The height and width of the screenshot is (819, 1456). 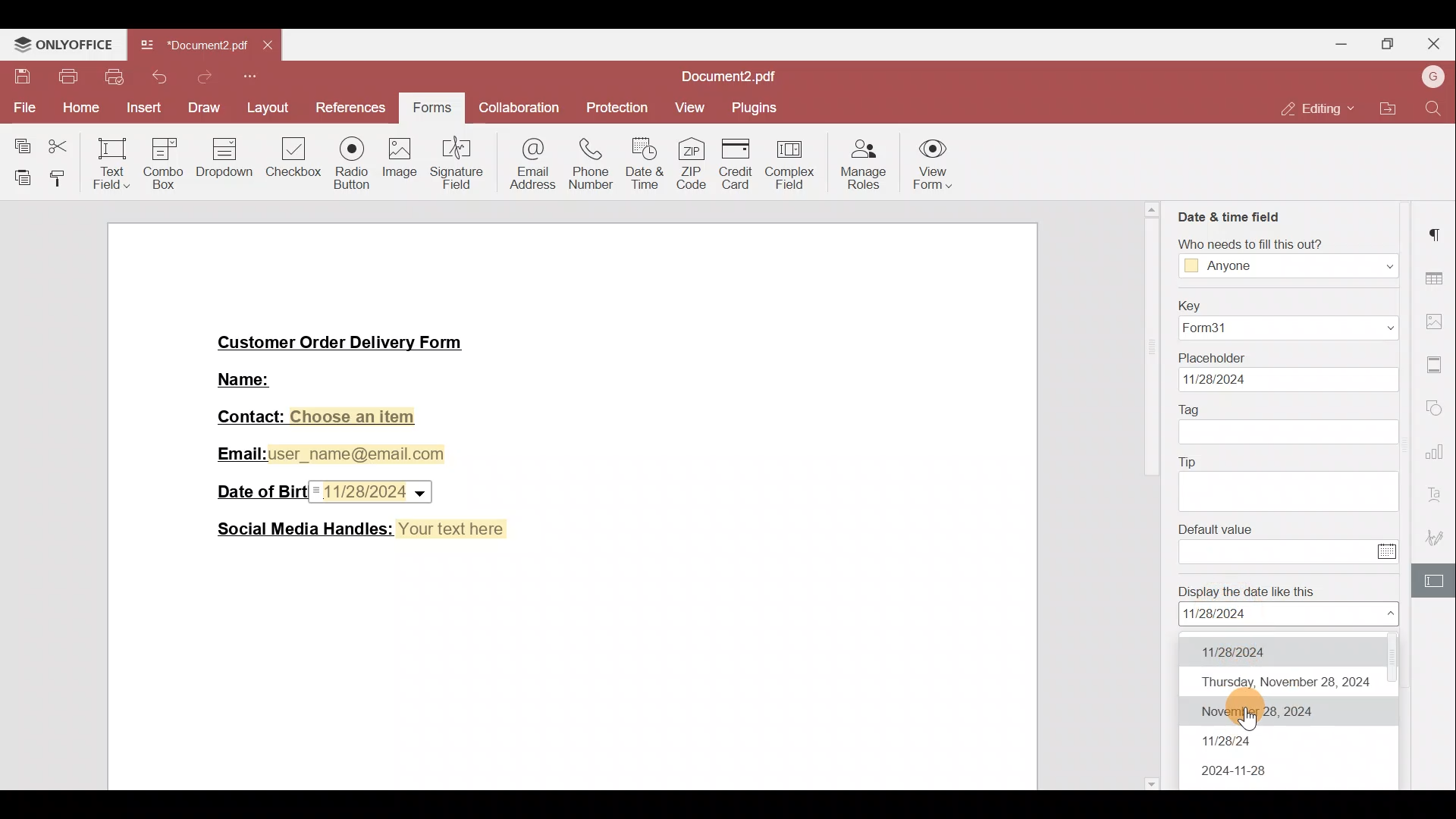 I want to click on Find, so click(x=1434, y=107).